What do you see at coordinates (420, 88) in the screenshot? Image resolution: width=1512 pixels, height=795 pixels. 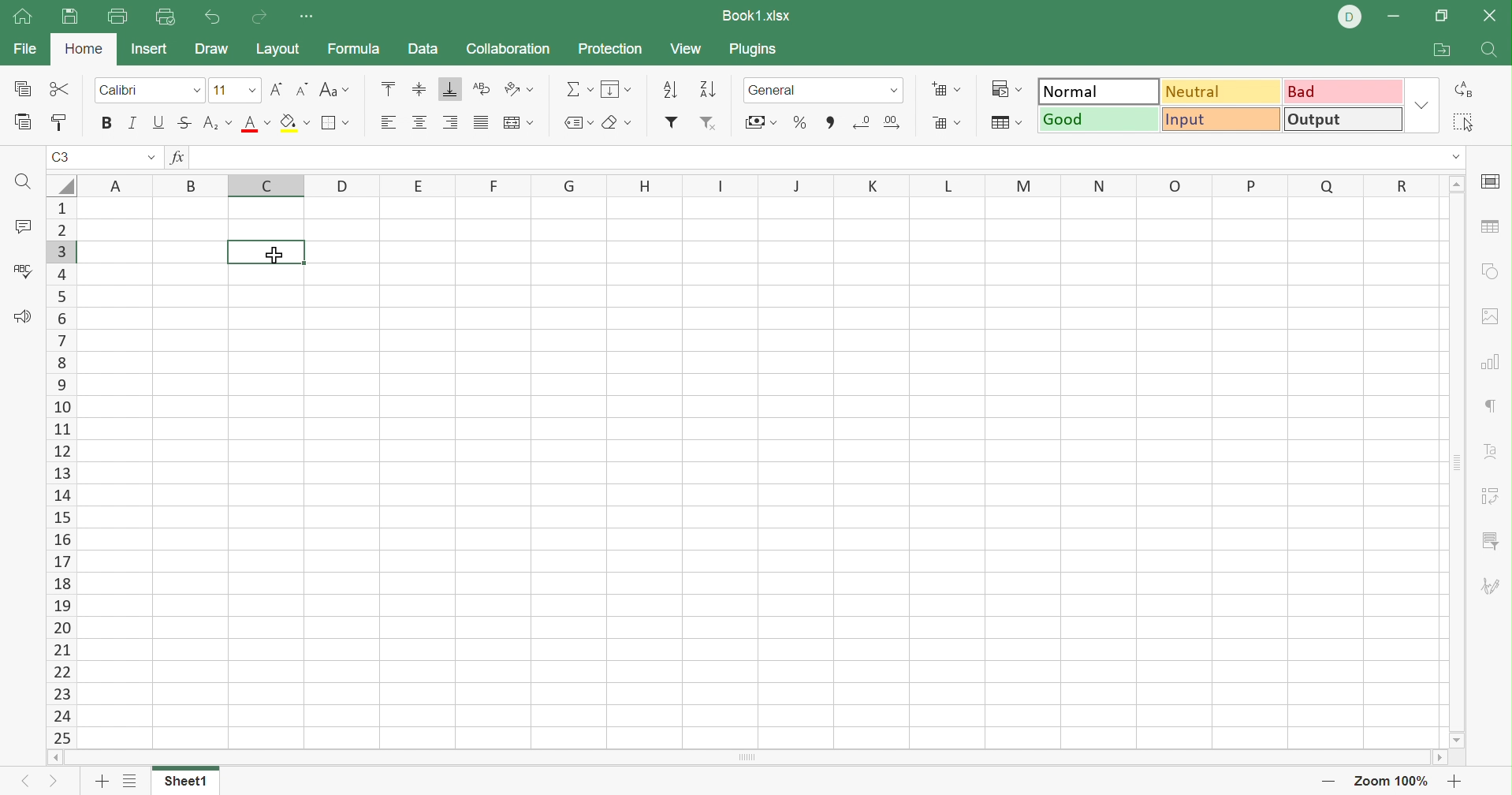 I see `Align Middle` at bounding box center [420, 88].